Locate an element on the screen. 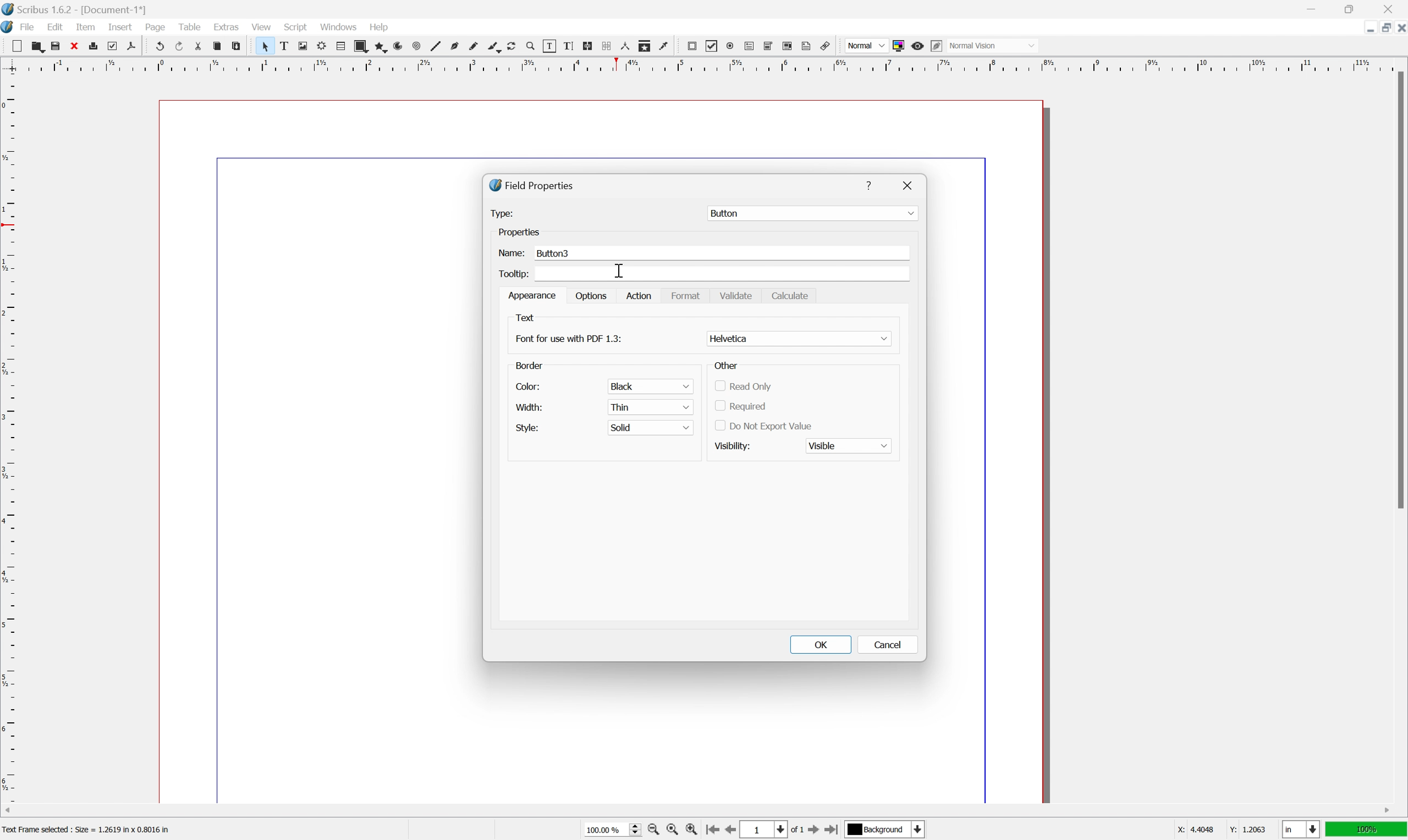 Image resolution: width=1408 pixels, height=840 pixels. color: is located at coordinates (525, 387).